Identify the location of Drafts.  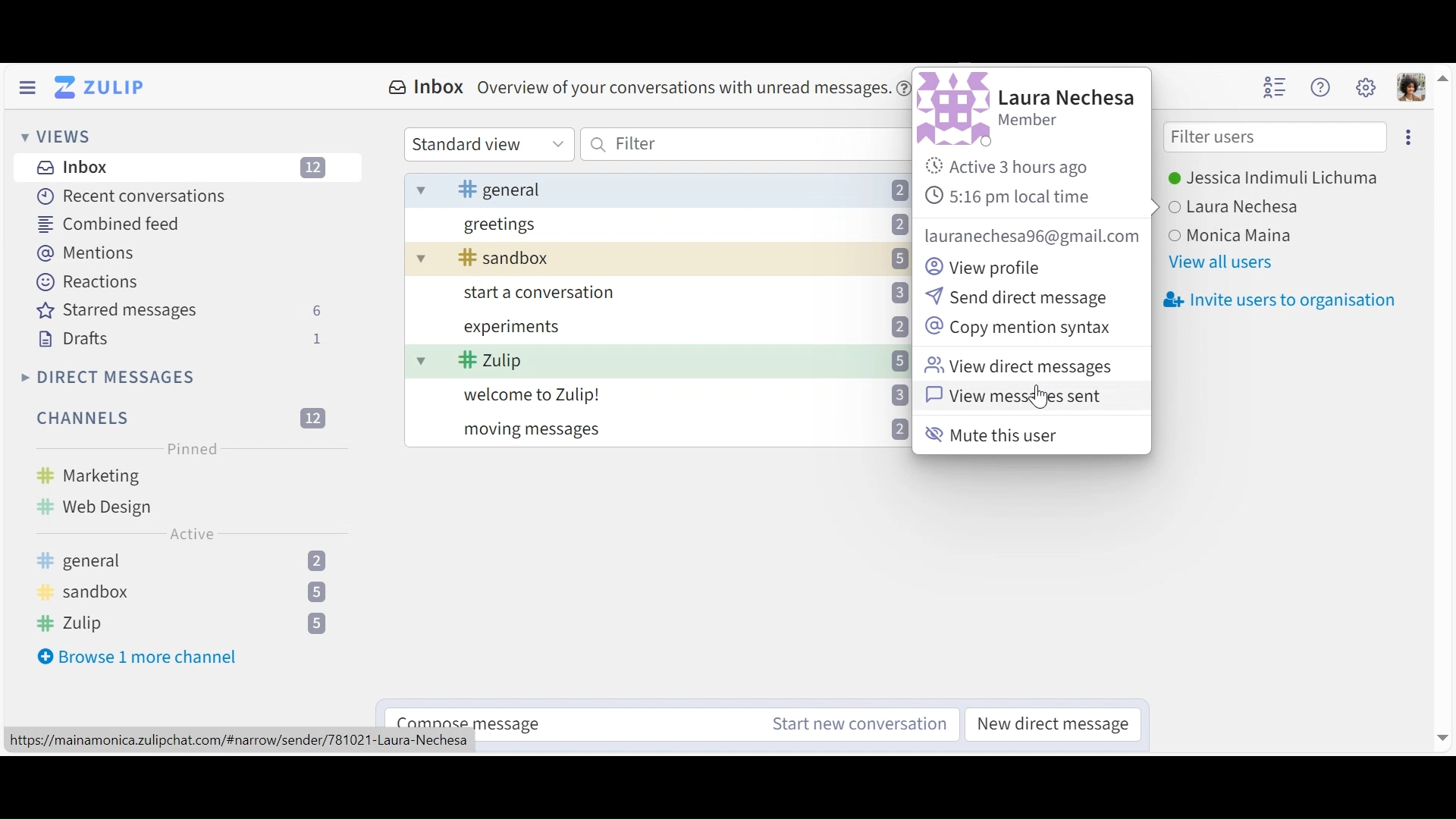
(179, 337).